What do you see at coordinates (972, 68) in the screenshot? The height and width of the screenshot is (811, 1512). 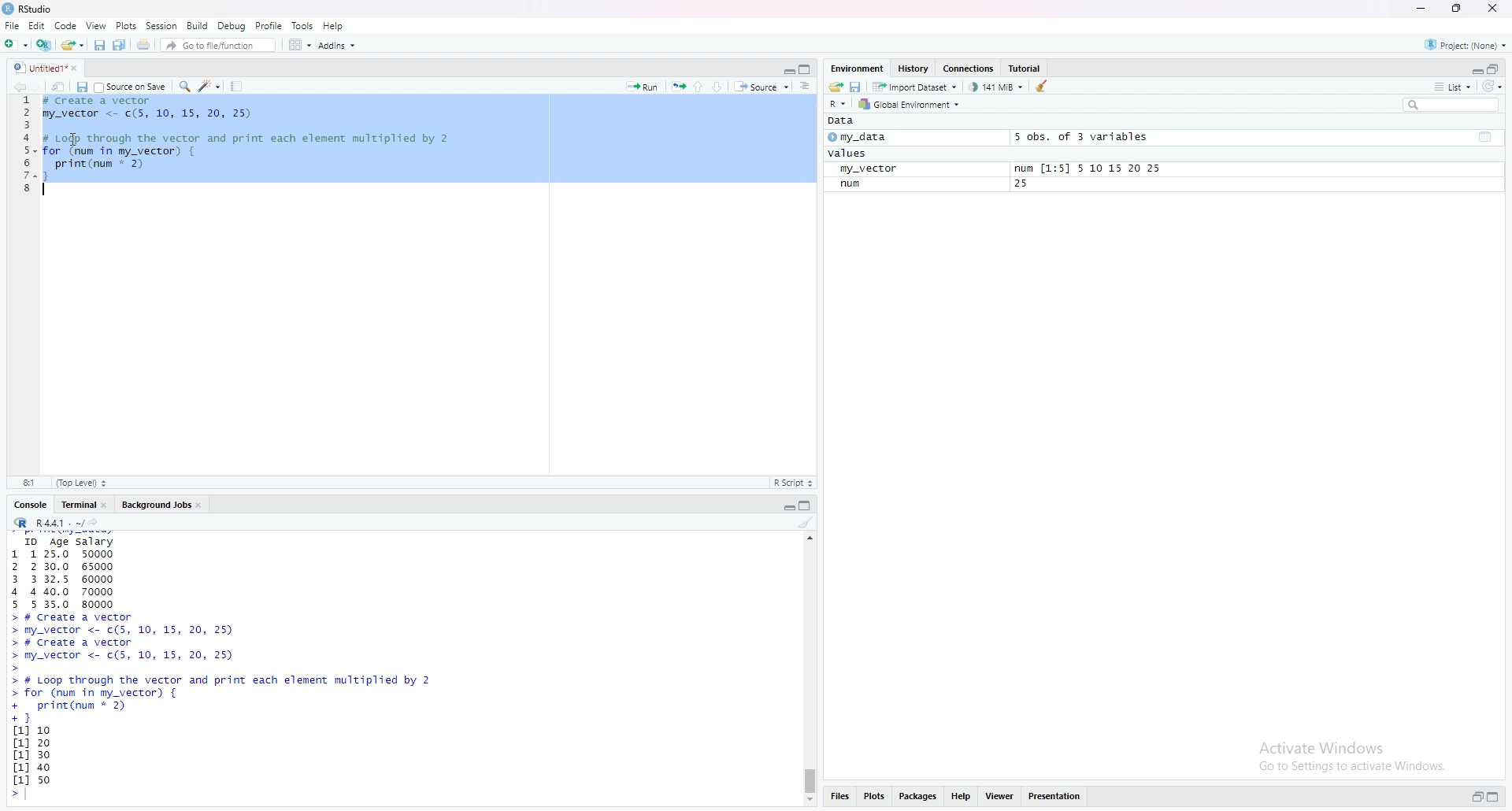 I see `Connections` at bounding box center [972, 68].